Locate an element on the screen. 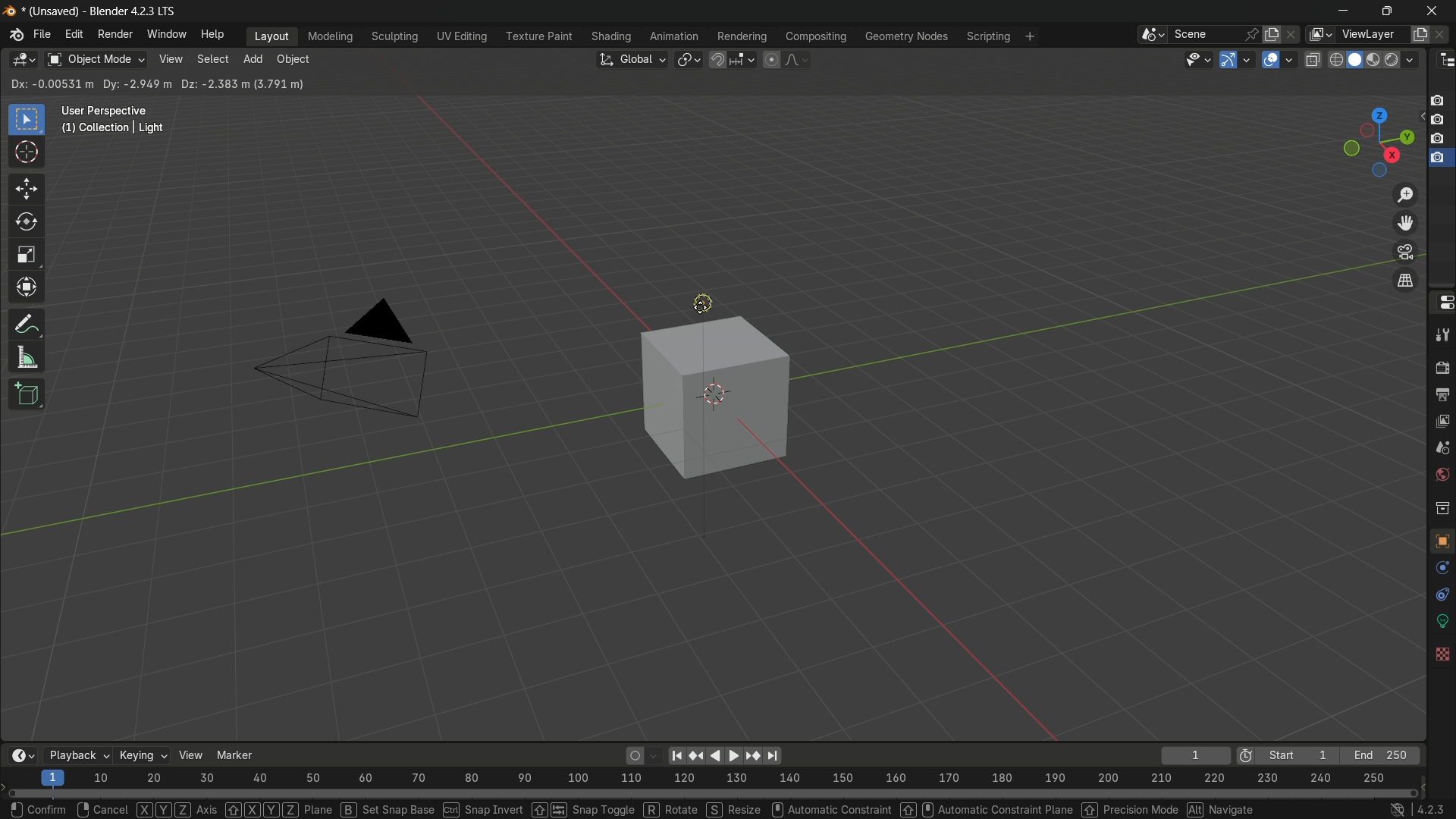 The height and width of the screenshot is (819, 1456). constraints is located at coordinates (1441, 648).